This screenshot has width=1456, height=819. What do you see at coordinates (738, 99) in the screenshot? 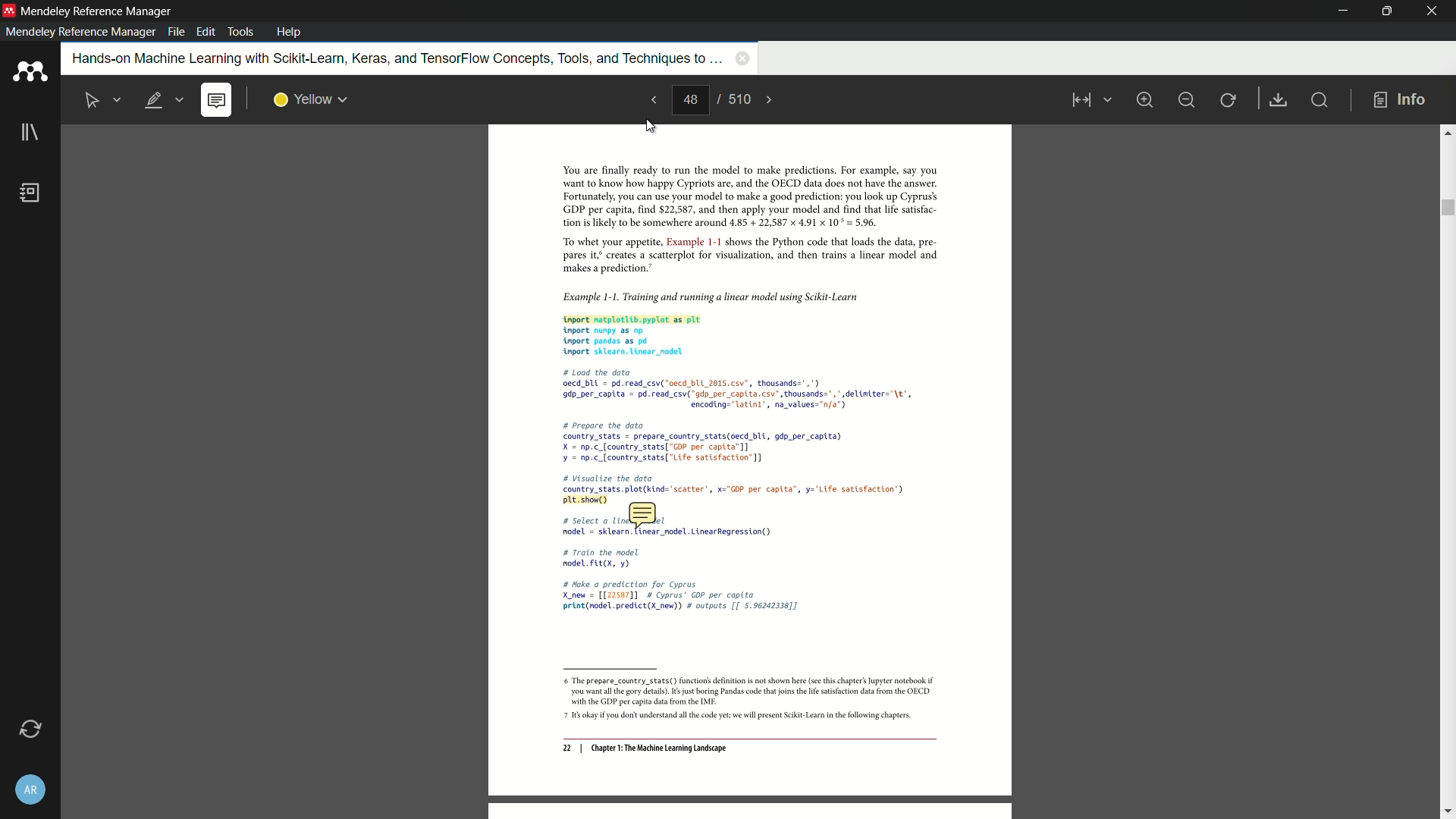
I see `total page` at bounding box center [738, 99].